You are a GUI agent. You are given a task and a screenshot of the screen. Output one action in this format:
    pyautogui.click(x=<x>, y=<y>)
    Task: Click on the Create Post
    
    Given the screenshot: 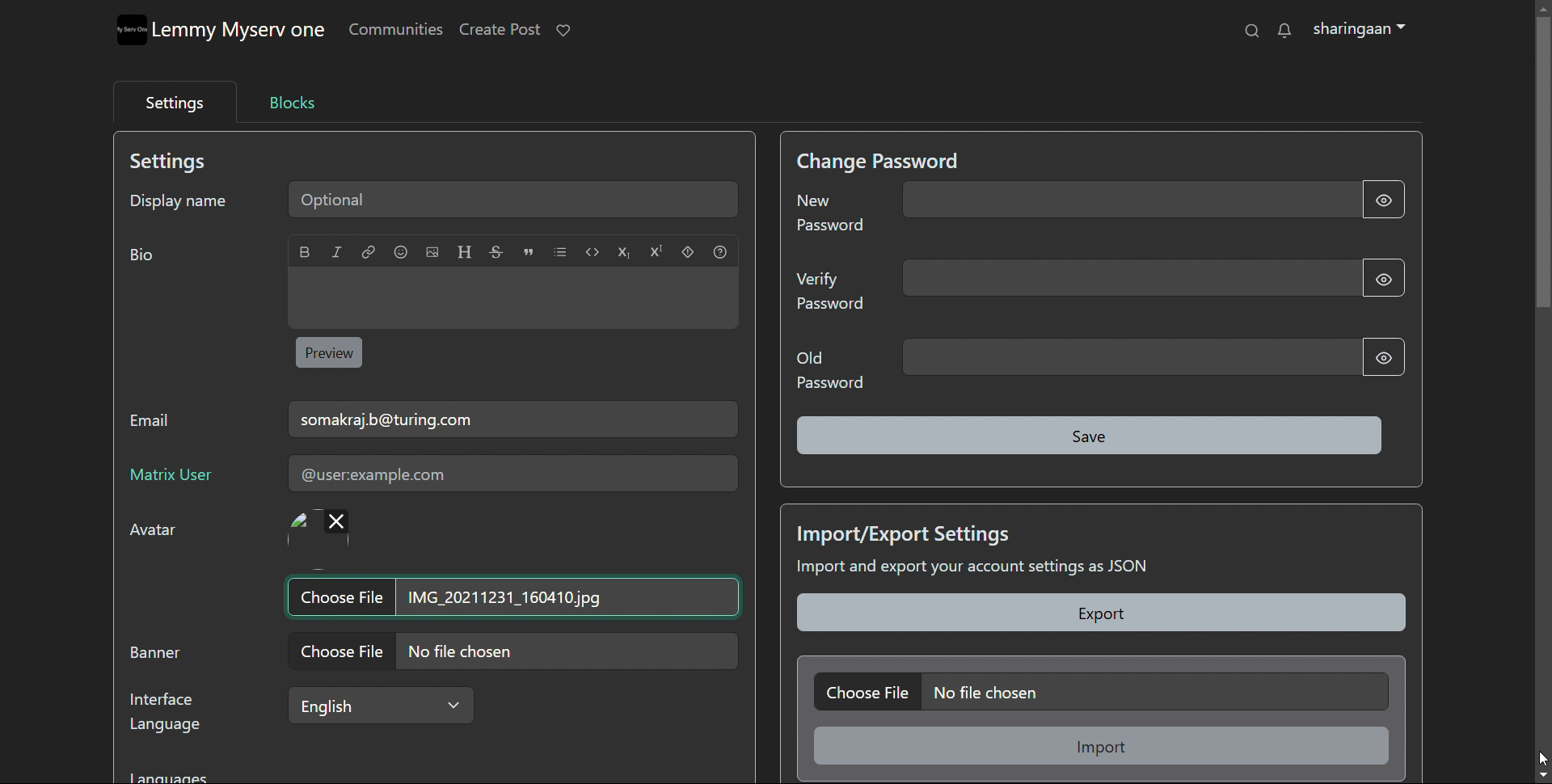 What is the action you would take?
    pyautogui.click(x=501, y=30)
    